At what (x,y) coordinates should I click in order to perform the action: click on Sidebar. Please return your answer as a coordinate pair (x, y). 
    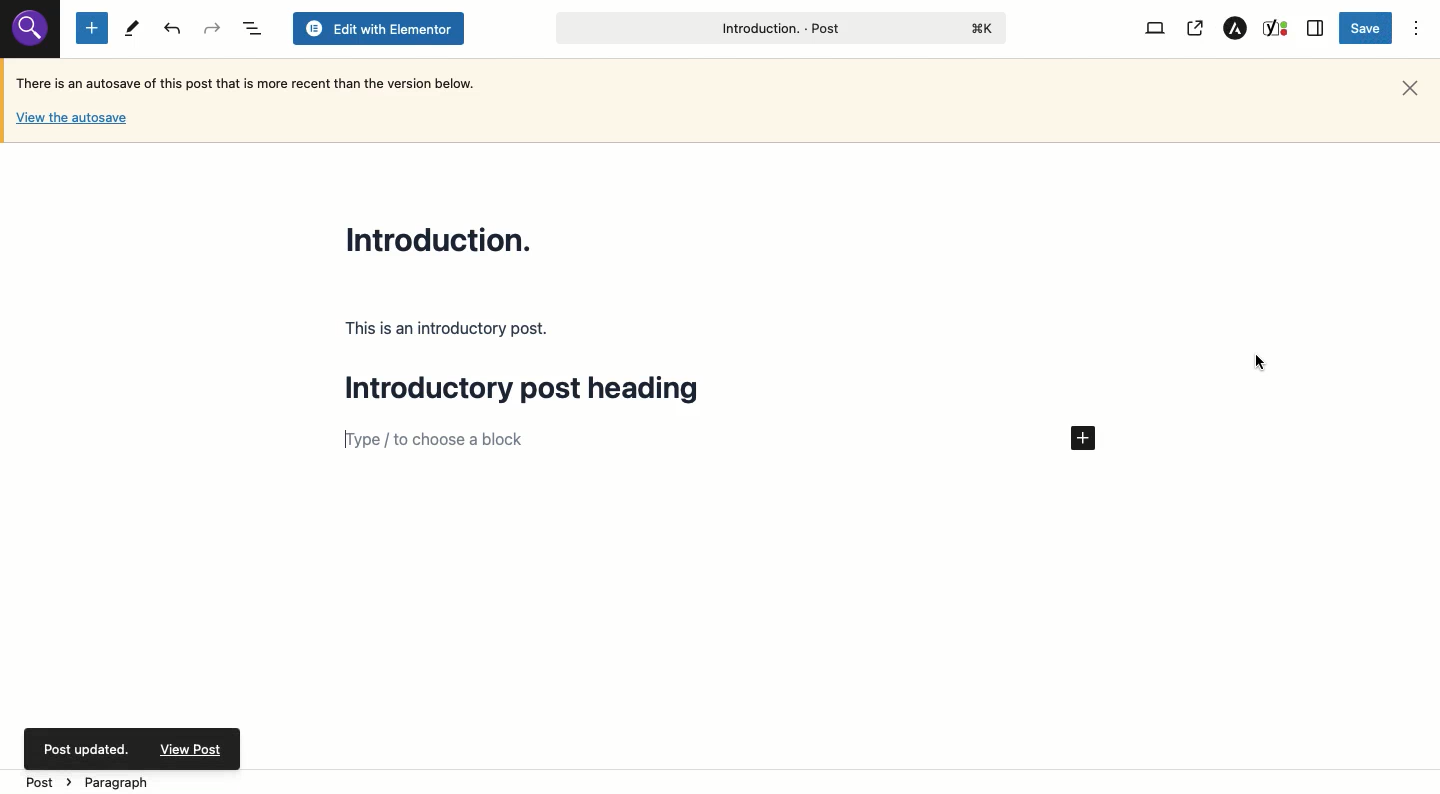
    Looking at the image, I should click on (1316, 28).